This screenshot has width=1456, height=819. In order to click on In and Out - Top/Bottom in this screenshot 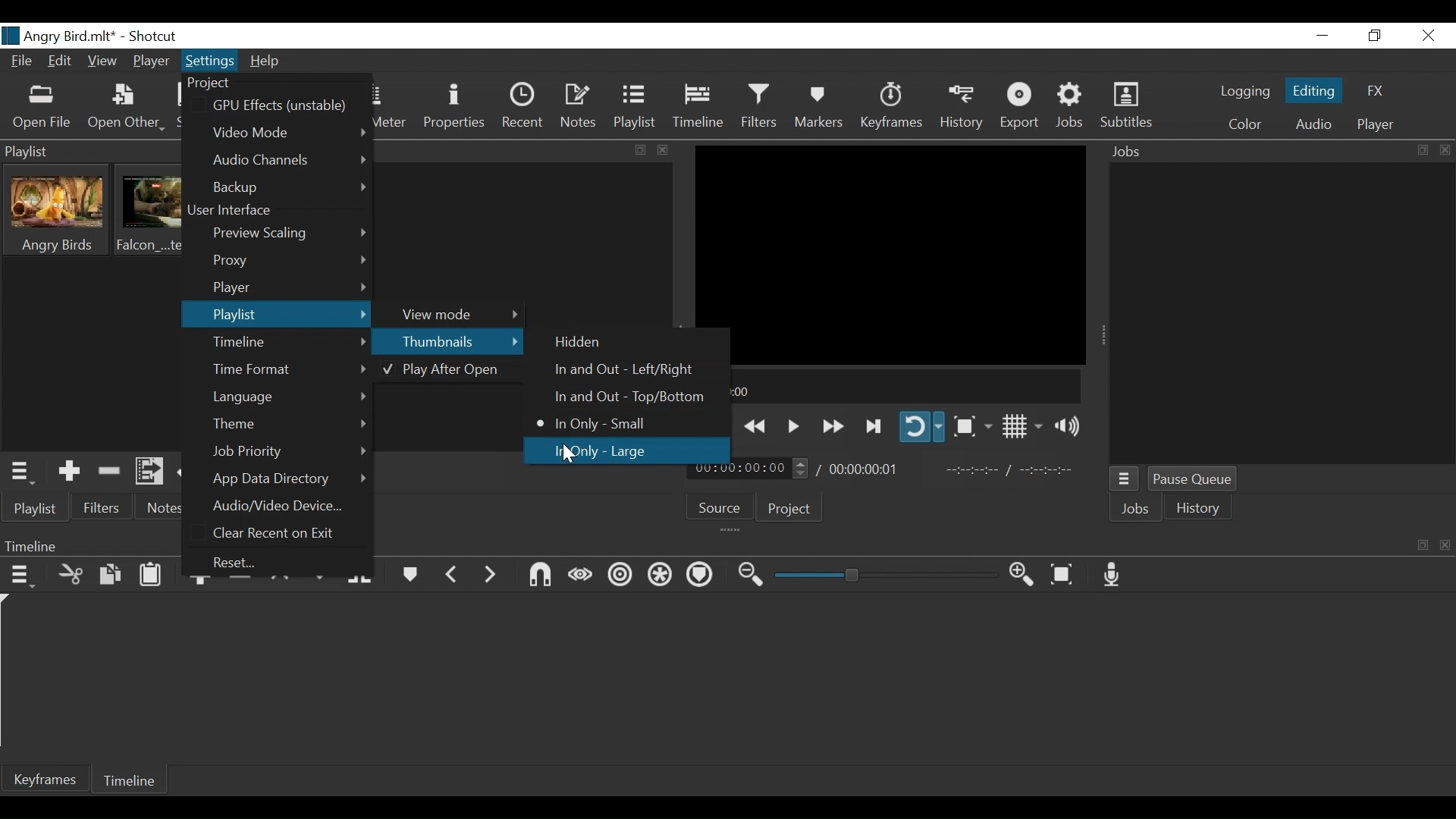, I will do `click(618, 398)`.